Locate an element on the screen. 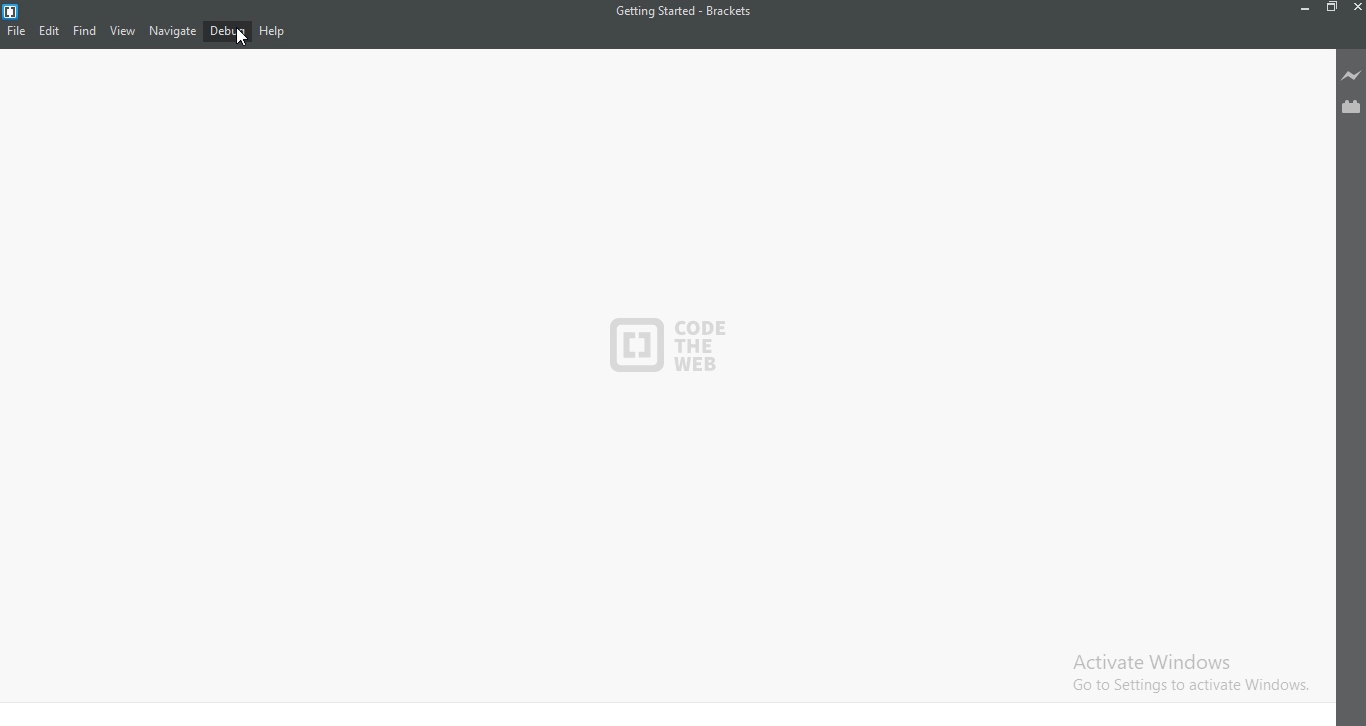 This screenshot has width=1366, height=726. Edit is located at coordinates (51, 30).